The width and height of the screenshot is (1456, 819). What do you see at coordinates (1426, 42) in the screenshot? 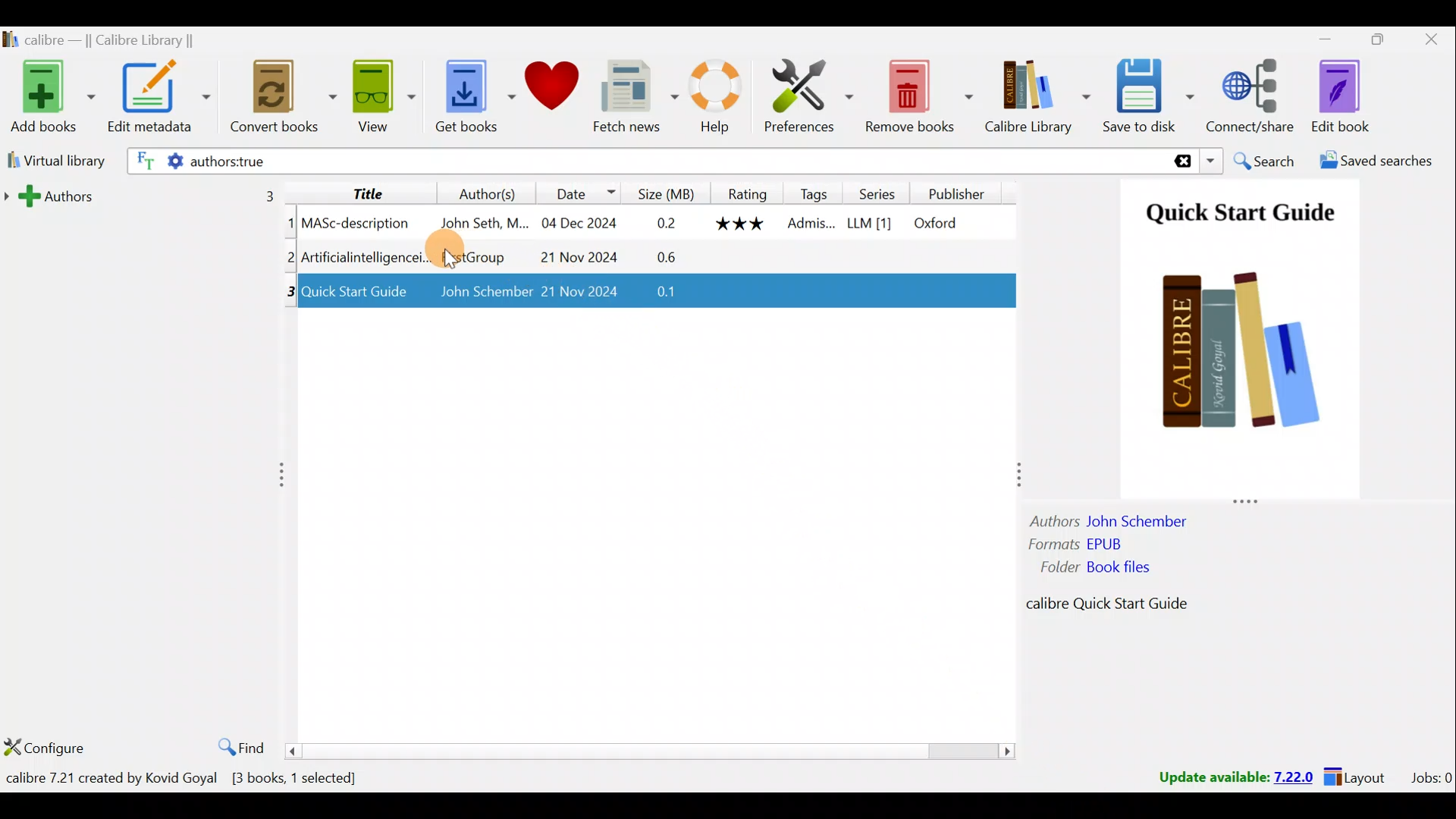
I see `Close` at bounding box center [1426, 42].